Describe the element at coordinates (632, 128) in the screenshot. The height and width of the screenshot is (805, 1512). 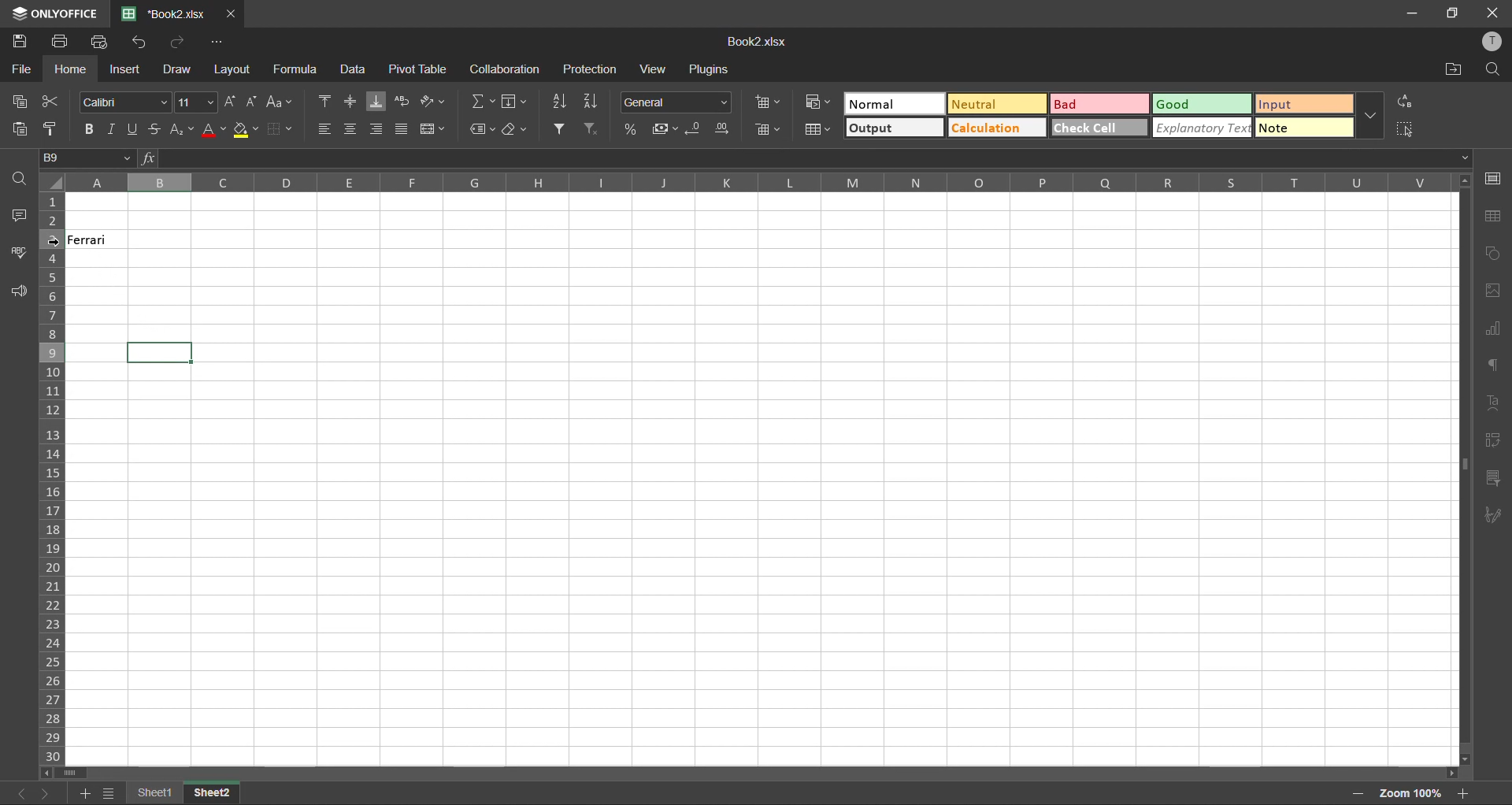
I see `percent` at that location.